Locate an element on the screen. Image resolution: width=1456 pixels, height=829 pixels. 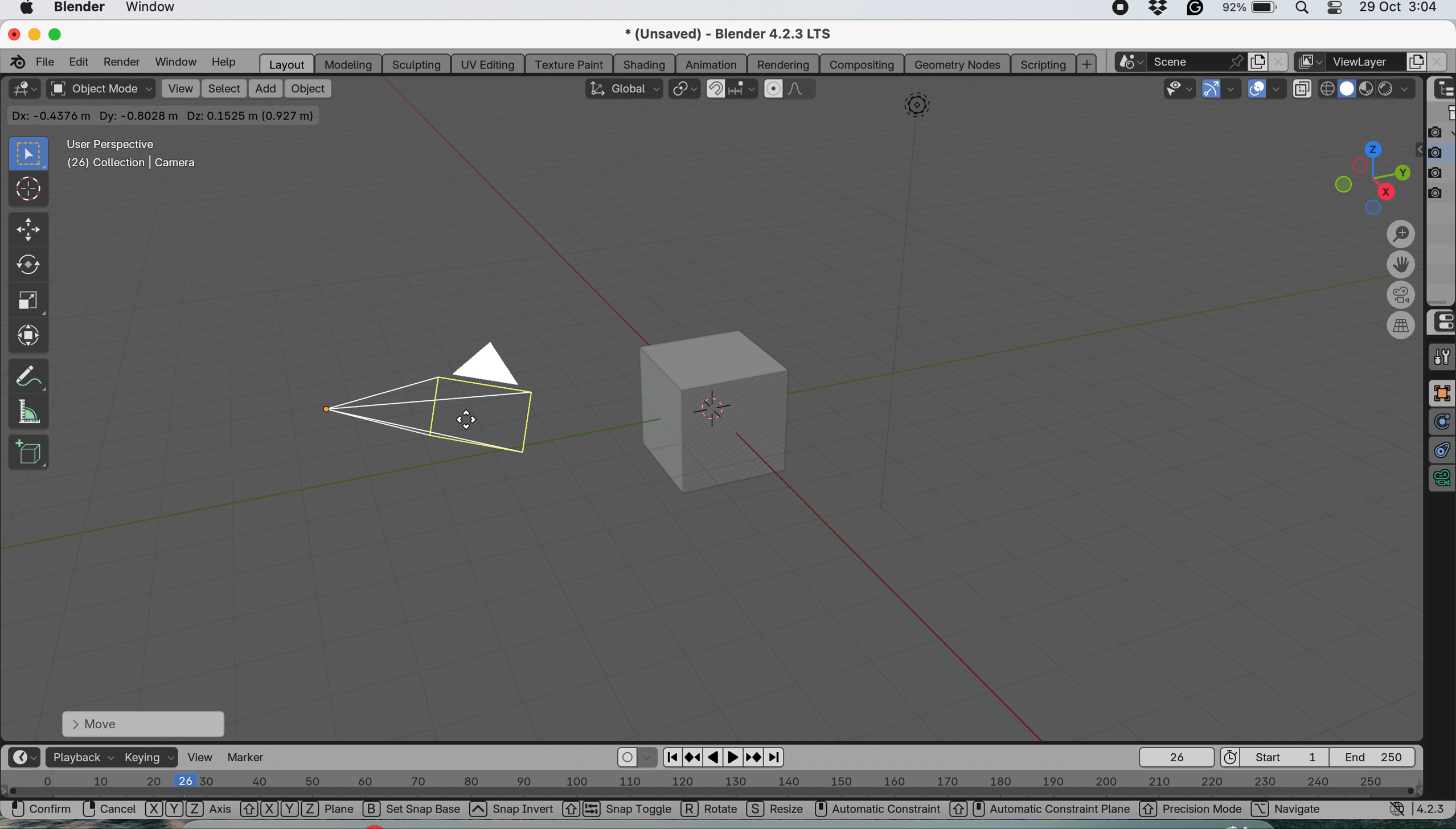
material preview display is located at coordinates (1348, 89).